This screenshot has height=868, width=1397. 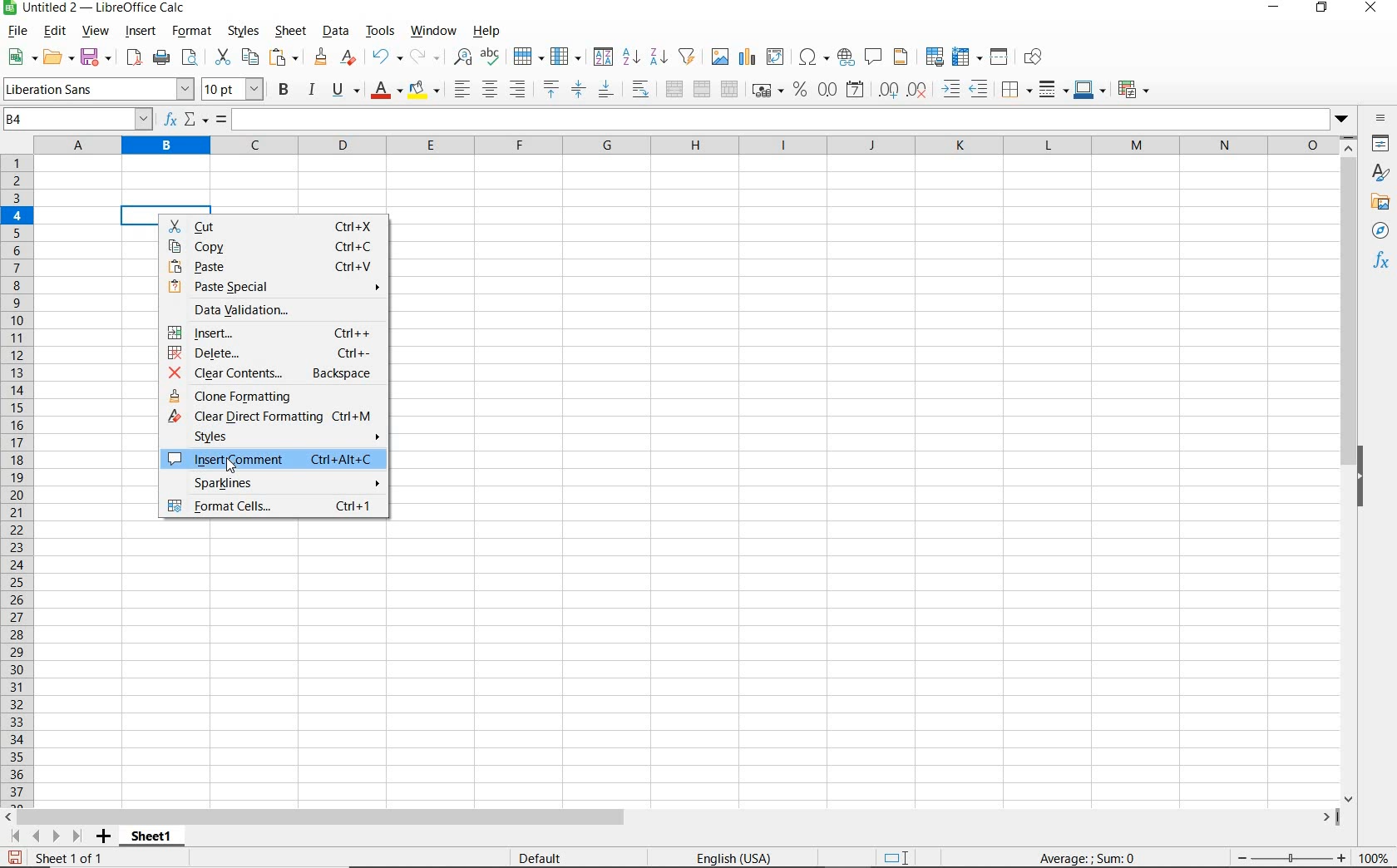 I want to click on toggle print preview, so click(x=190, y=57).